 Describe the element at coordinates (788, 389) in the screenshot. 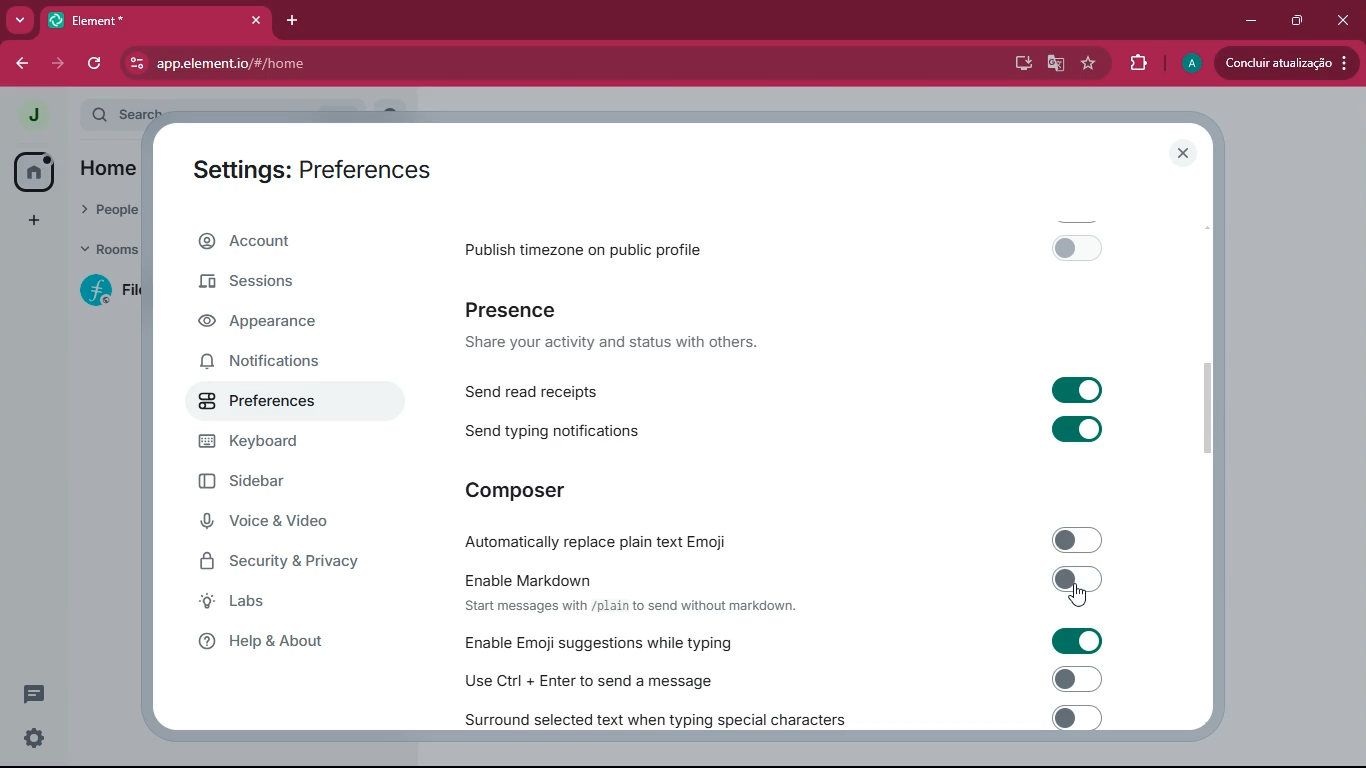

I see `send receipts` at that location.